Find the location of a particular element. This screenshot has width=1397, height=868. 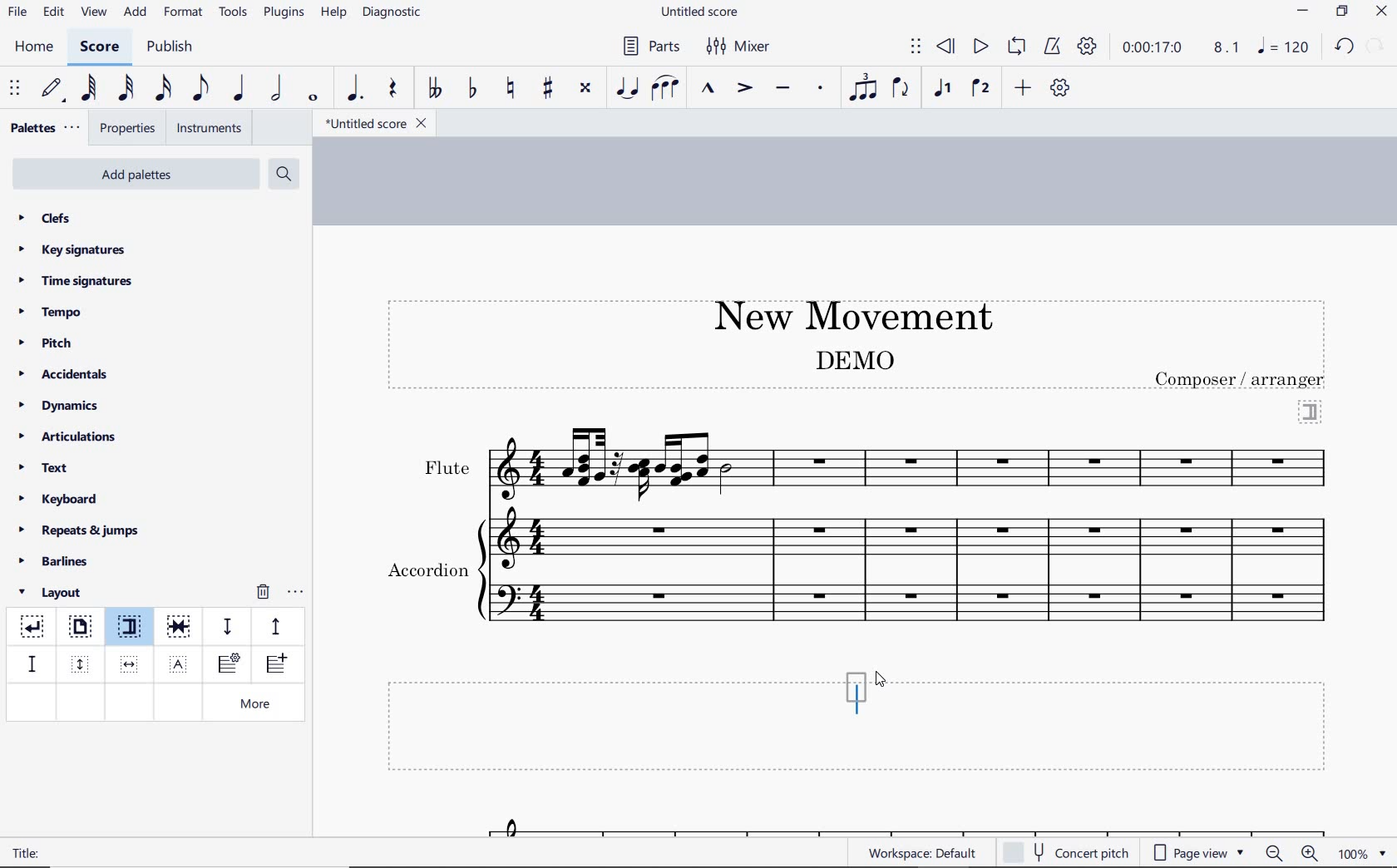

default (step time) is located at coordinates (53, 89).